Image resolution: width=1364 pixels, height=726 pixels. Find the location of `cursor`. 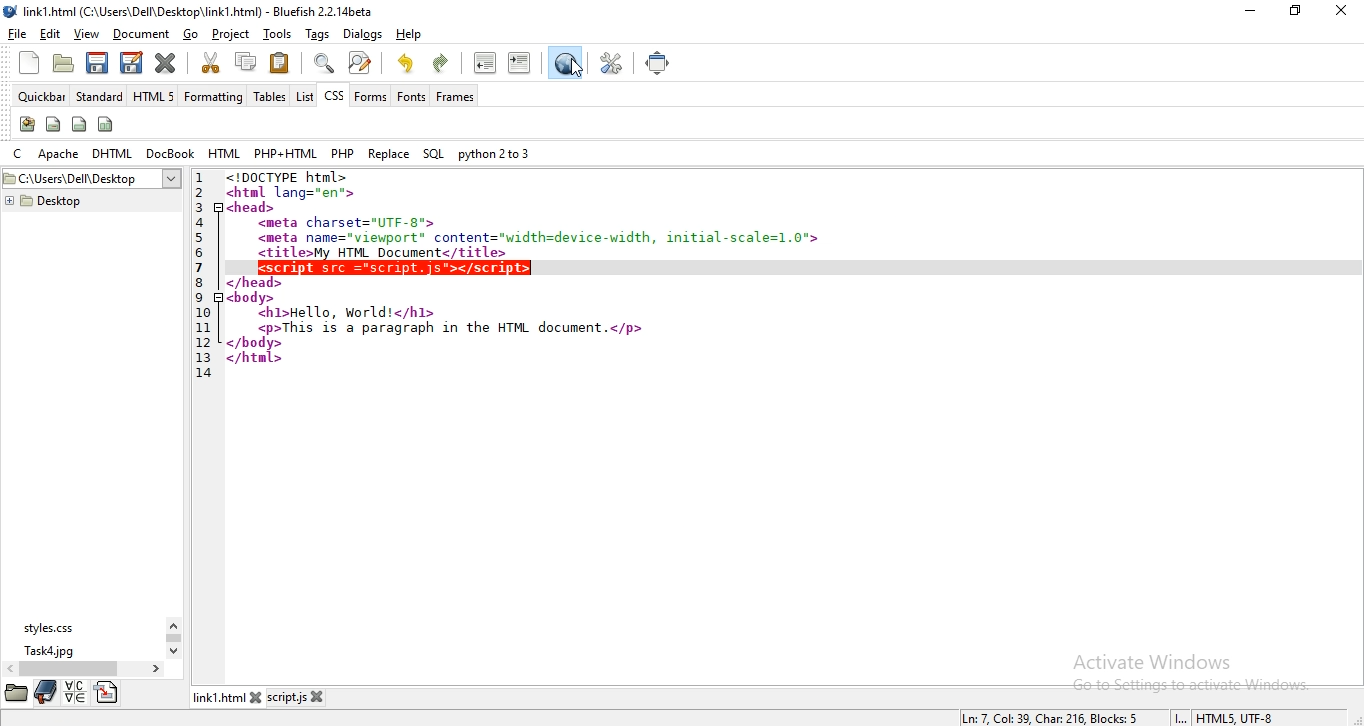

cursor is located at coordinates (577, 67).